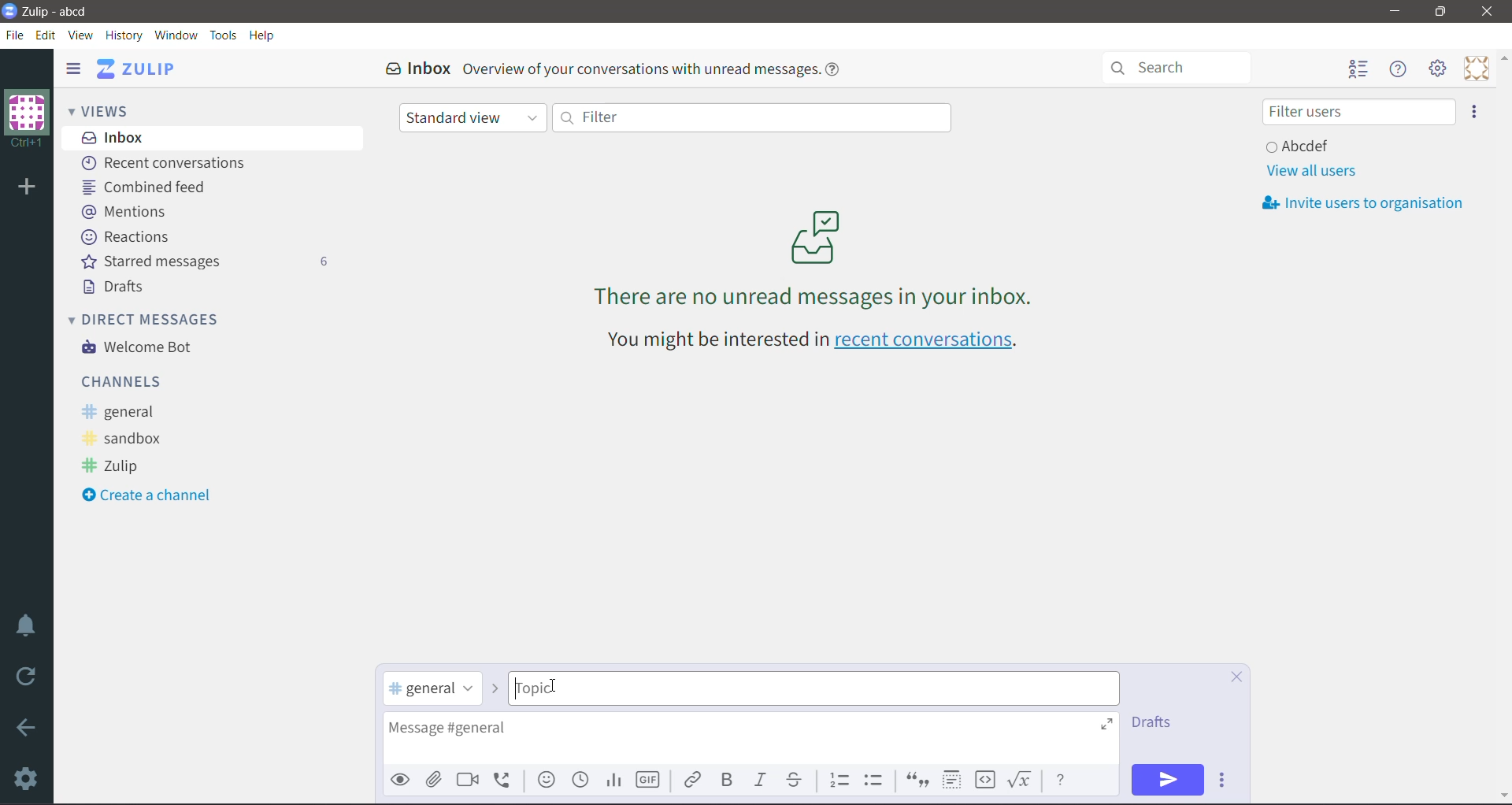 The image size is (1512, 805). What do you see at coordinates (613, 780) in the screenshot?
I see `Add Poll` at bounding box center [613, 780].